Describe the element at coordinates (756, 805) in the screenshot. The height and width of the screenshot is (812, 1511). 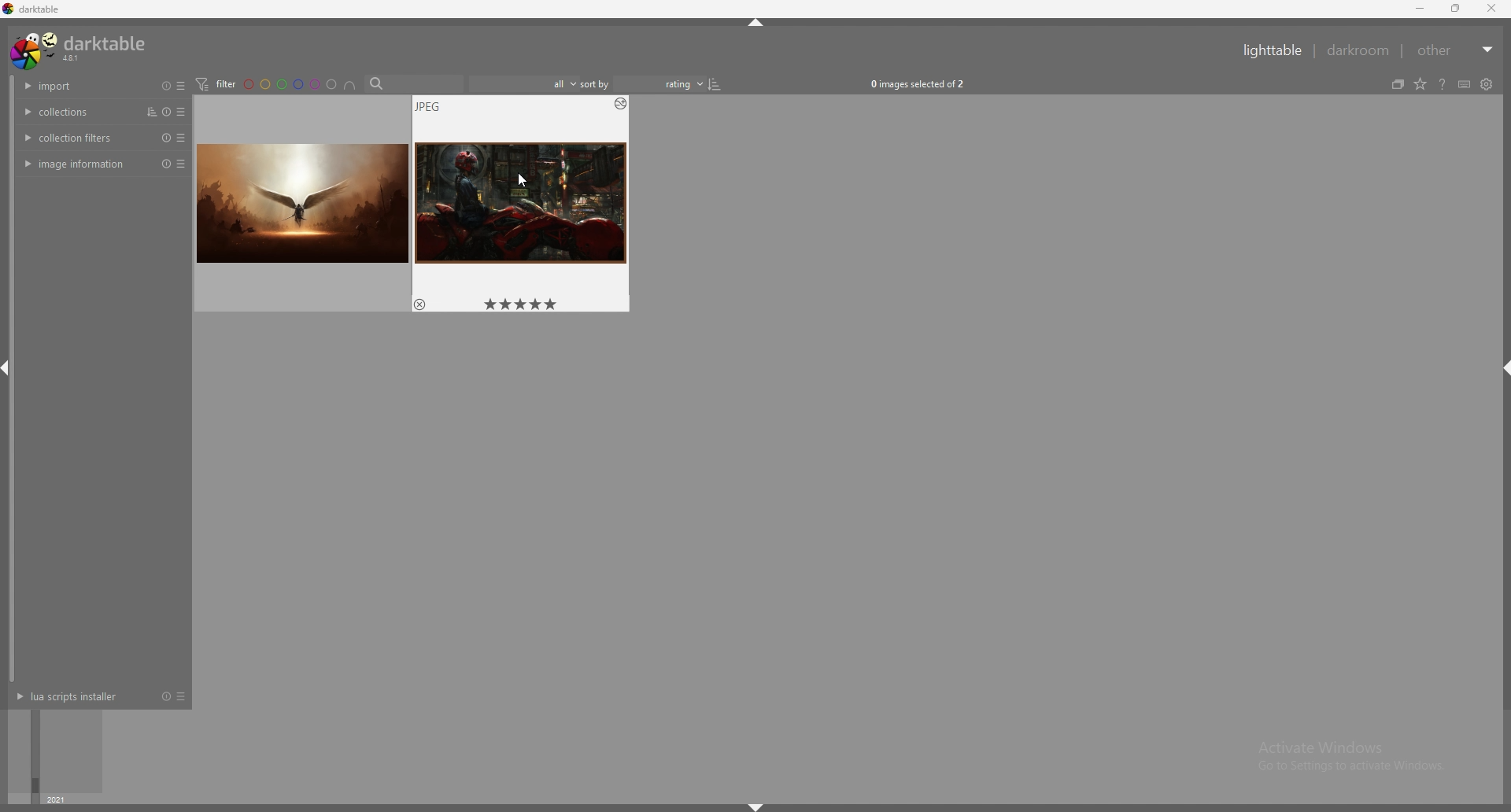
I see `hide` at that location.